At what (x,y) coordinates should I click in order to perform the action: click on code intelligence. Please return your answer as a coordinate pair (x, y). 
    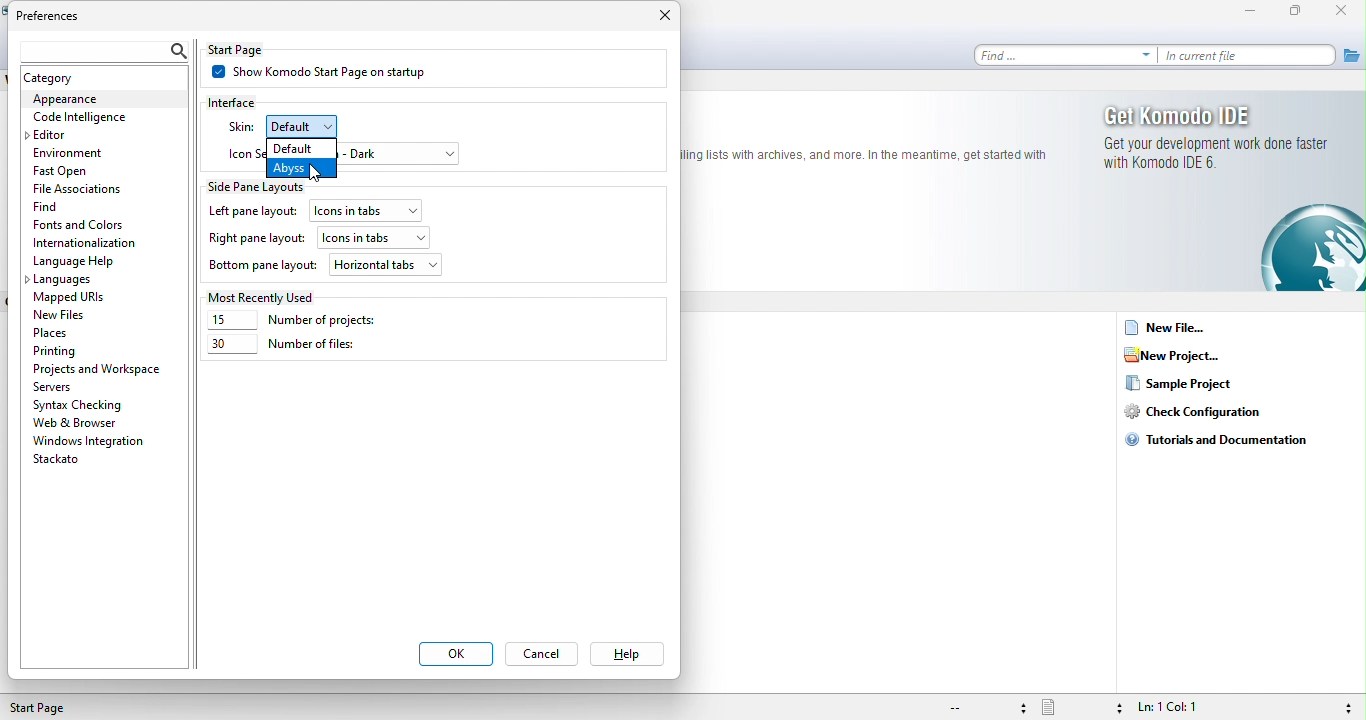
    Looking at the image, I should click on (80, 118).